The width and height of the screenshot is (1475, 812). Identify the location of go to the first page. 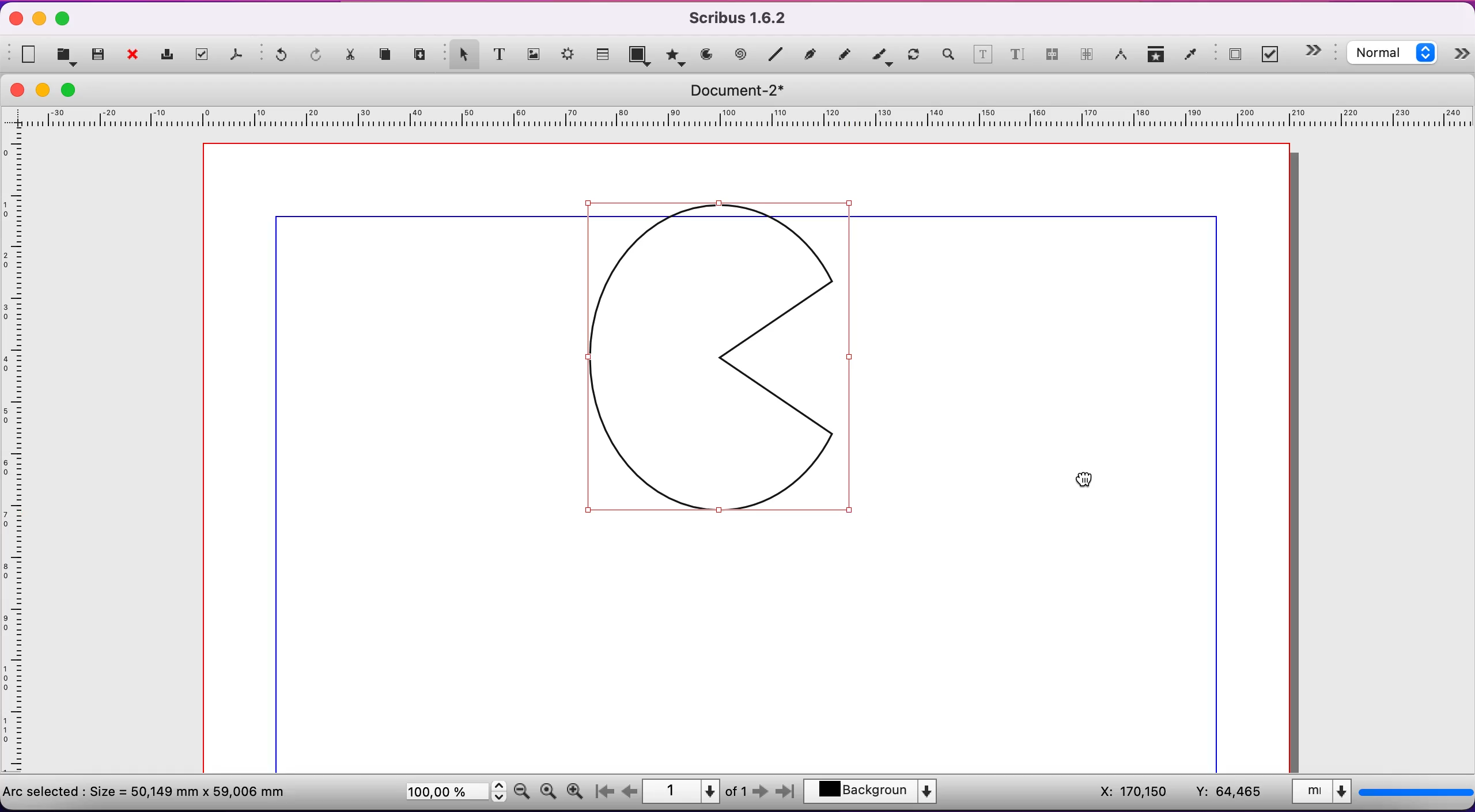
(608, 792).